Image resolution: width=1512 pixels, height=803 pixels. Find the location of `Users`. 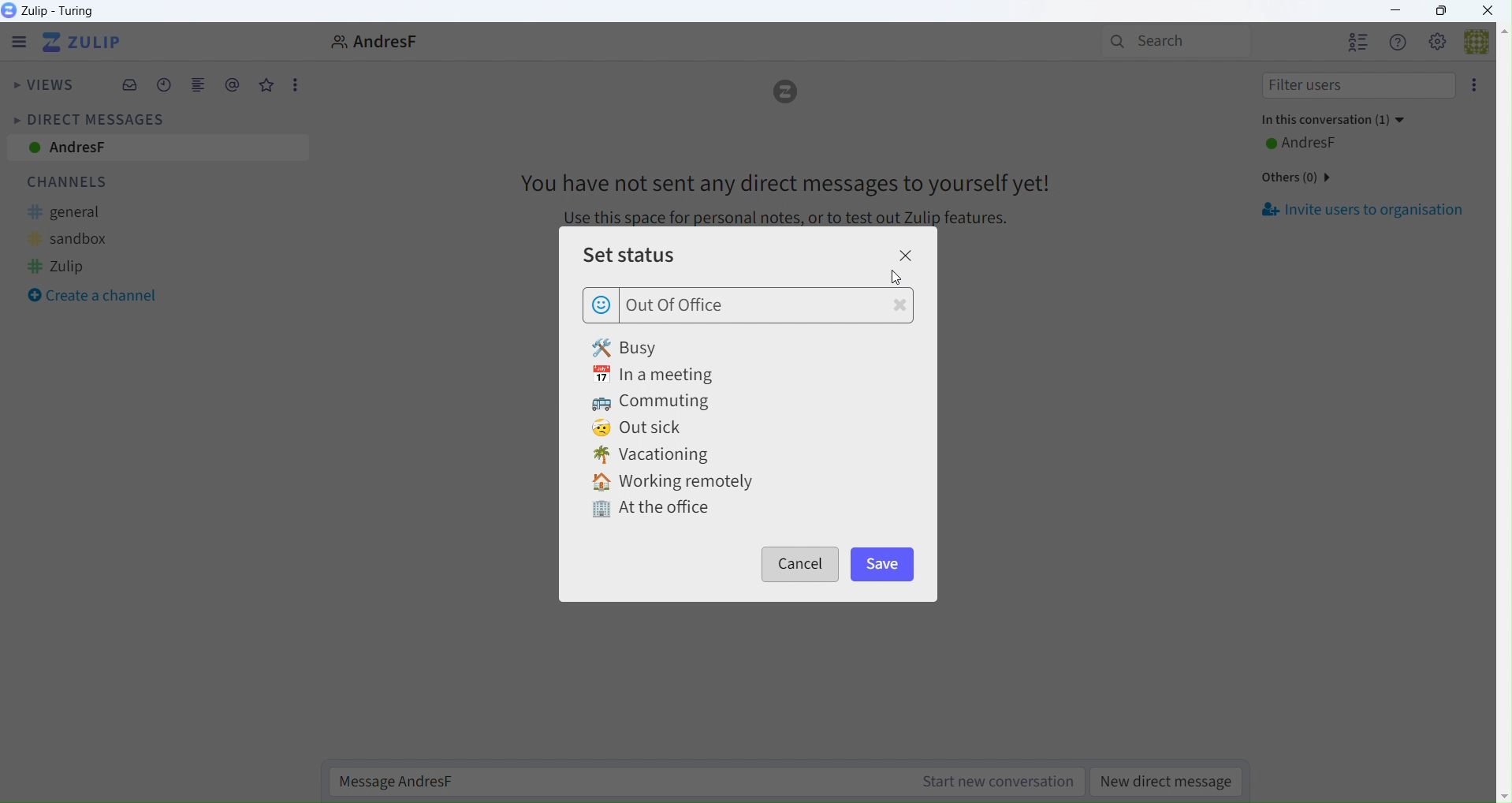

Users is located at coordinates (1358, 43).